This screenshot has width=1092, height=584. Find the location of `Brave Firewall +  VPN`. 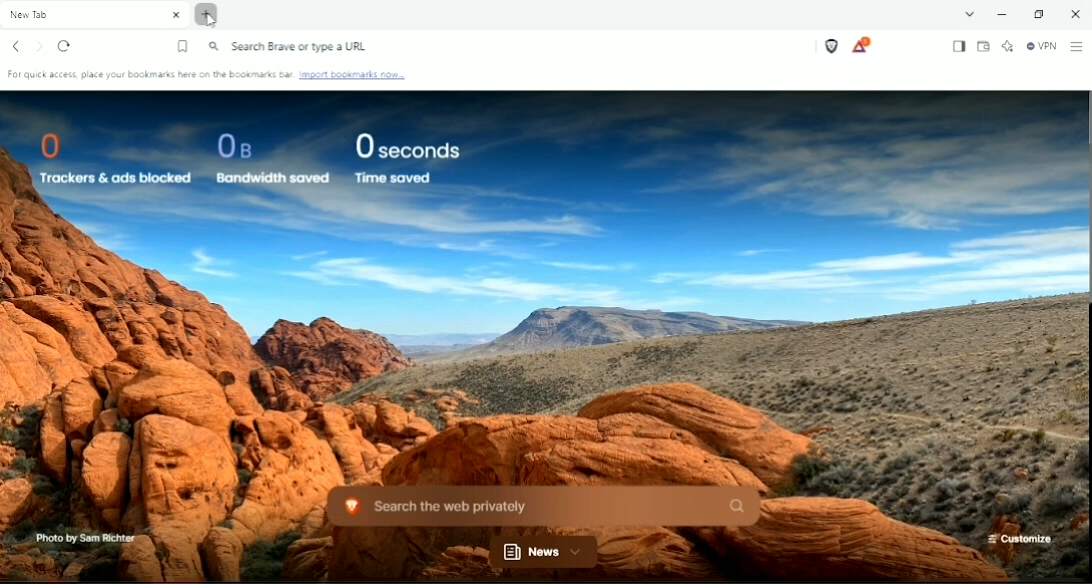

Brave Firewall +  VPN is located at coordinates (1040, 46).